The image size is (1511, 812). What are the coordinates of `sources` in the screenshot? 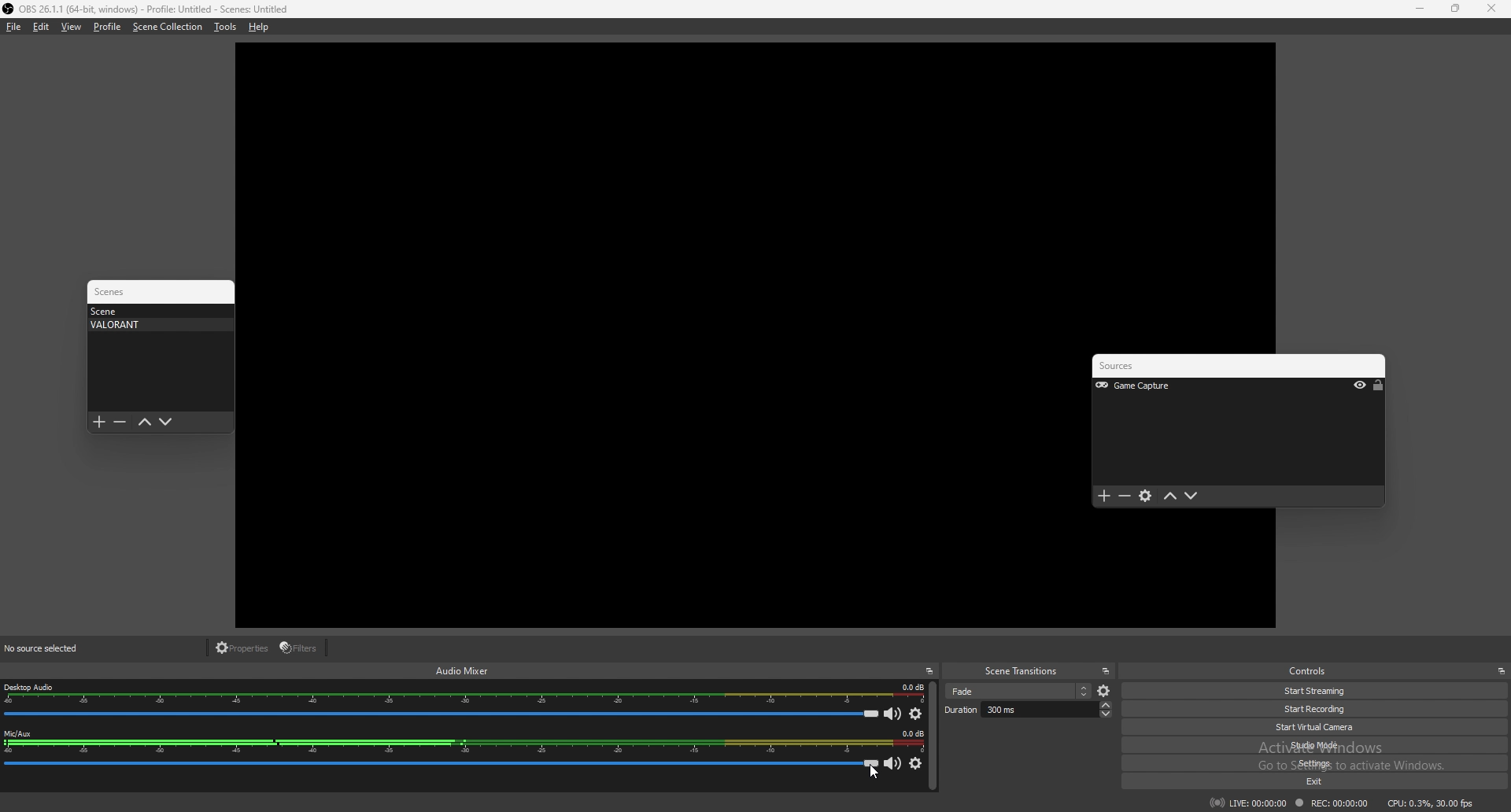 It's located at (1136, 367).